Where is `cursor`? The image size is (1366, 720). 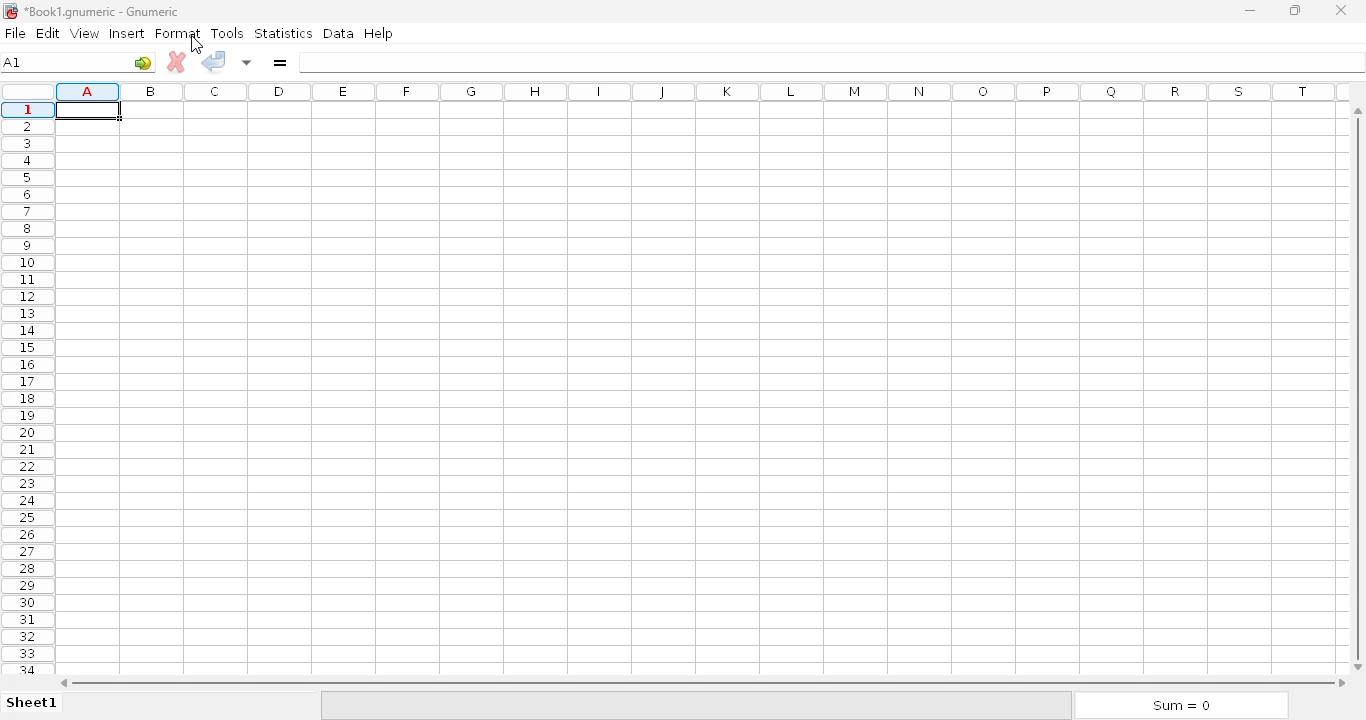
cursor is located at coordinates (196, 46).